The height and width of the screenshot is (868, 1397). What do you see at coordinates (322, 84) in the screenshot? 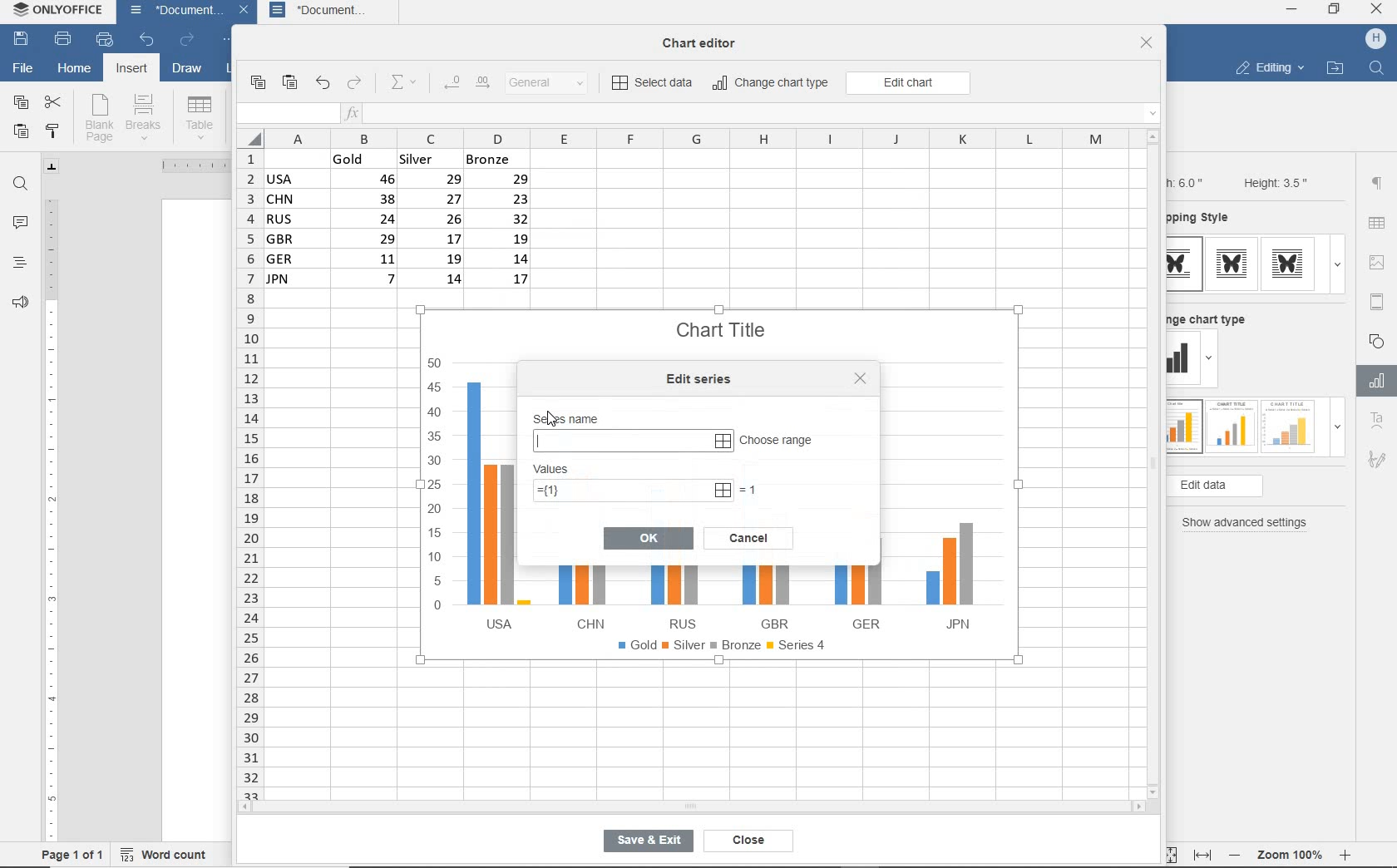
I see `undo` at bounding box center [322, 84].